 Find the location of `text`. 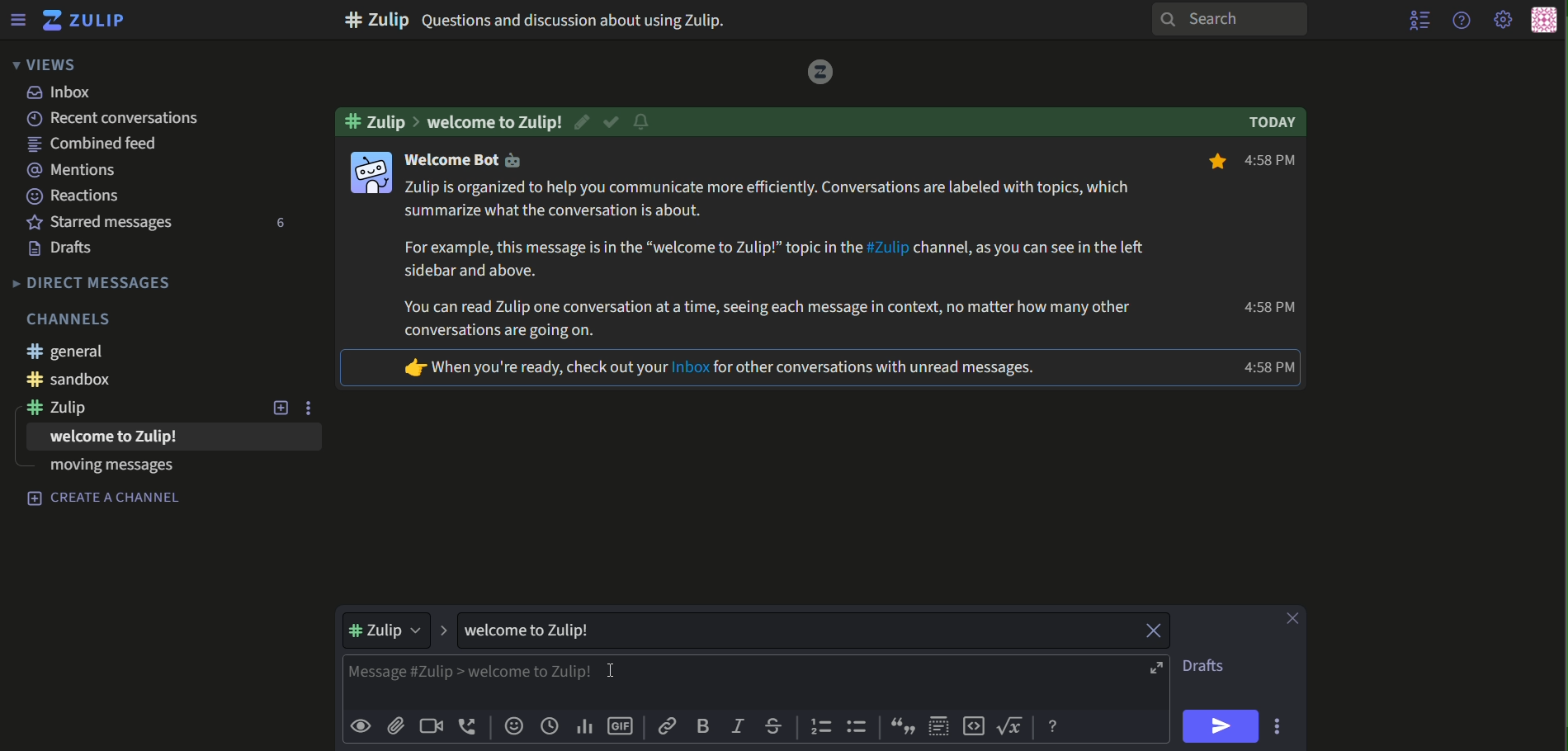

text is located at coordinates (68, 410).